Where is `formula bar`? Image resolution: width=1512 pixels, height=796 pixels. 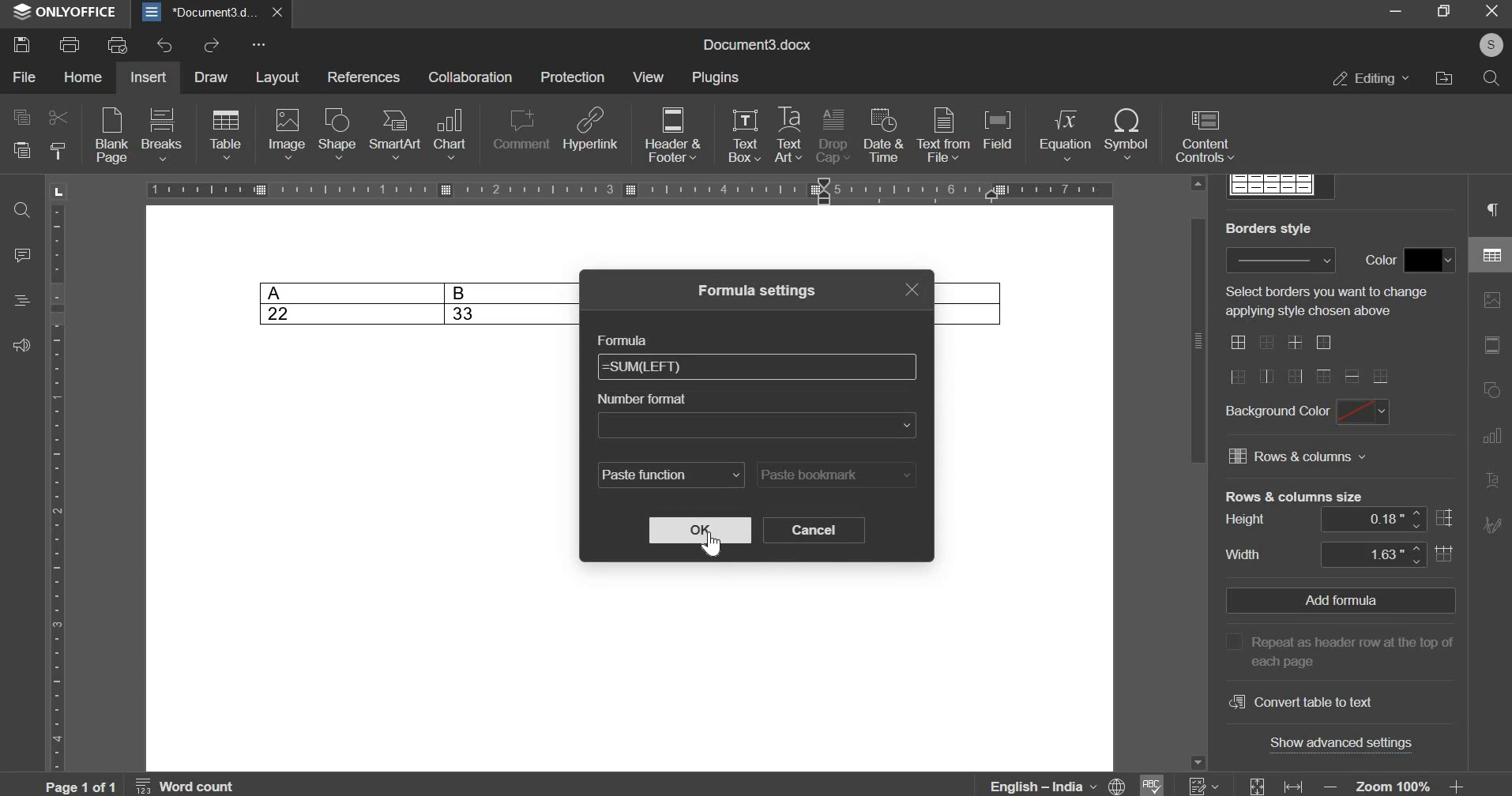 formula bar is located at coordinates (756, 365).